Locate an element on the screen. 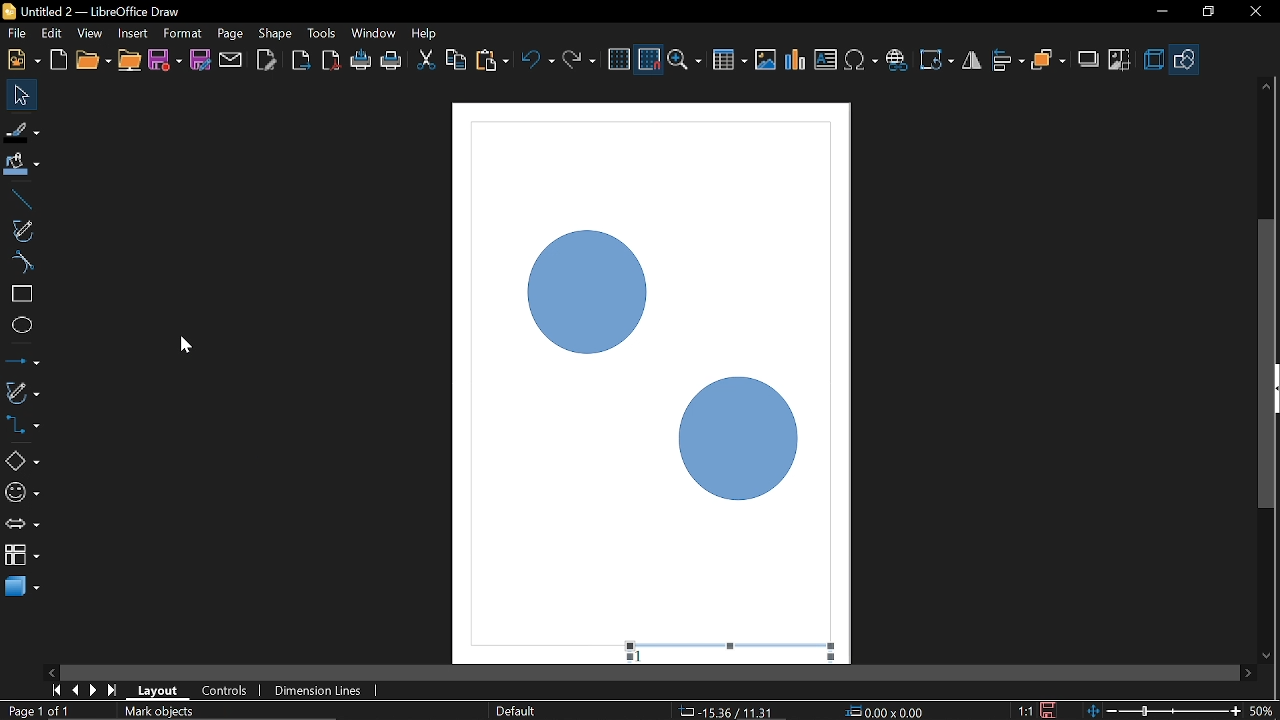 The width and height of the screenshot is (1280, 720). Text is located at coordinates (826, 60).